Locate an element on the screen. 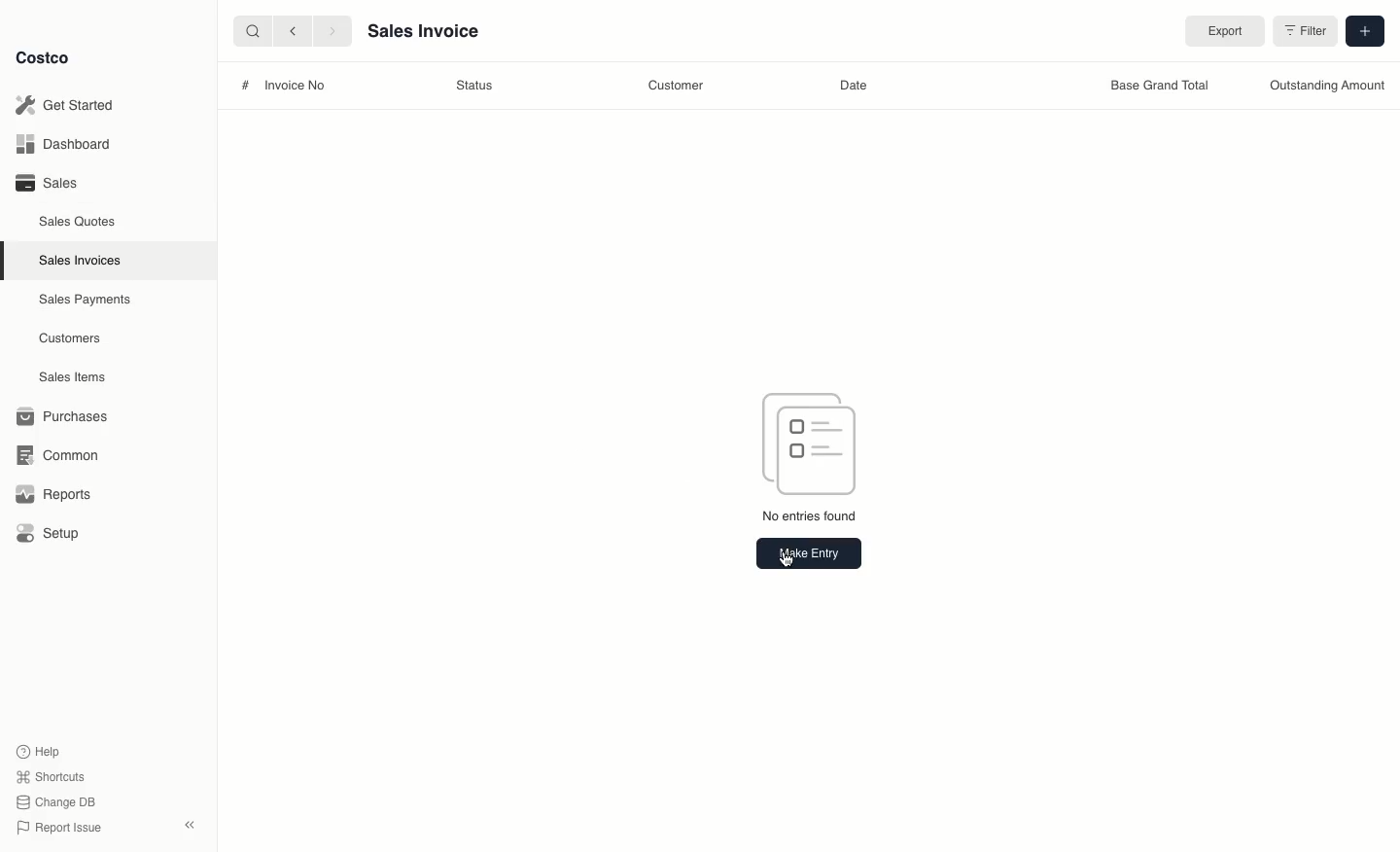 This screenshot has height=852, width=1400. Invoice No is located at coordinates (296, 86).